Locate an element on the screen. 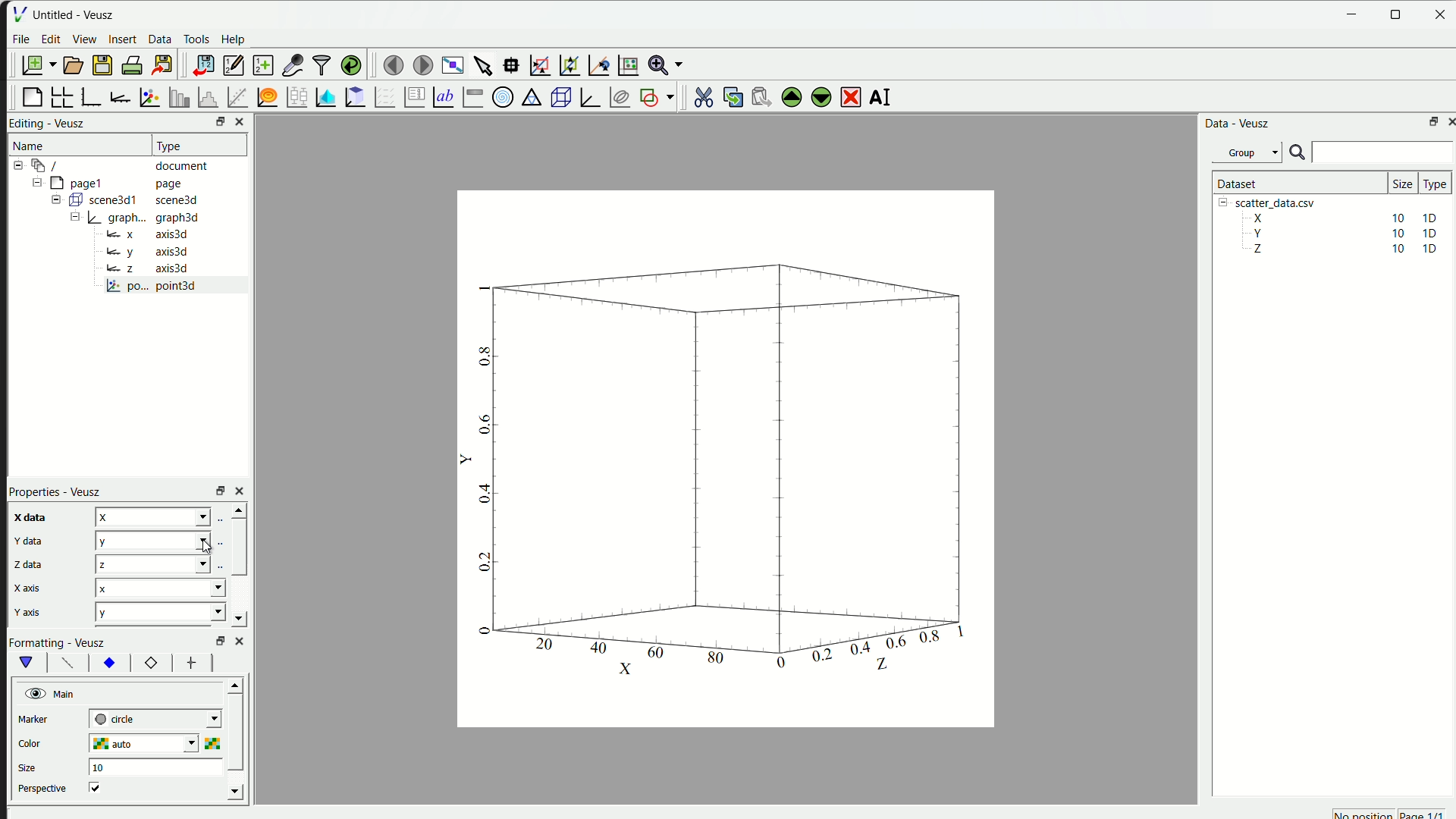 This screenshot has width=1456, height=819. y is located at coordinates (160, 613).